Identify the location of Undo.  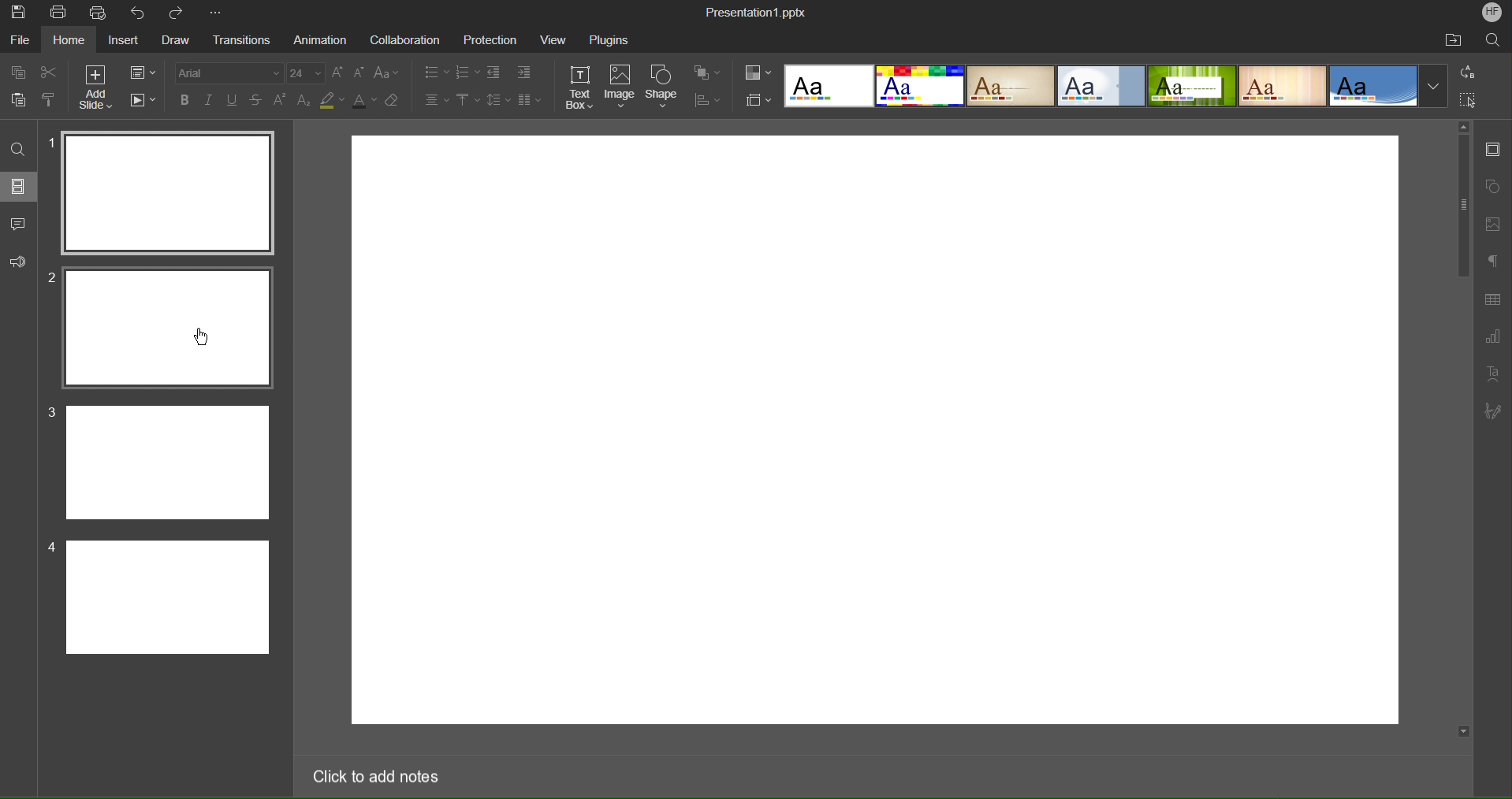
(138, 13).